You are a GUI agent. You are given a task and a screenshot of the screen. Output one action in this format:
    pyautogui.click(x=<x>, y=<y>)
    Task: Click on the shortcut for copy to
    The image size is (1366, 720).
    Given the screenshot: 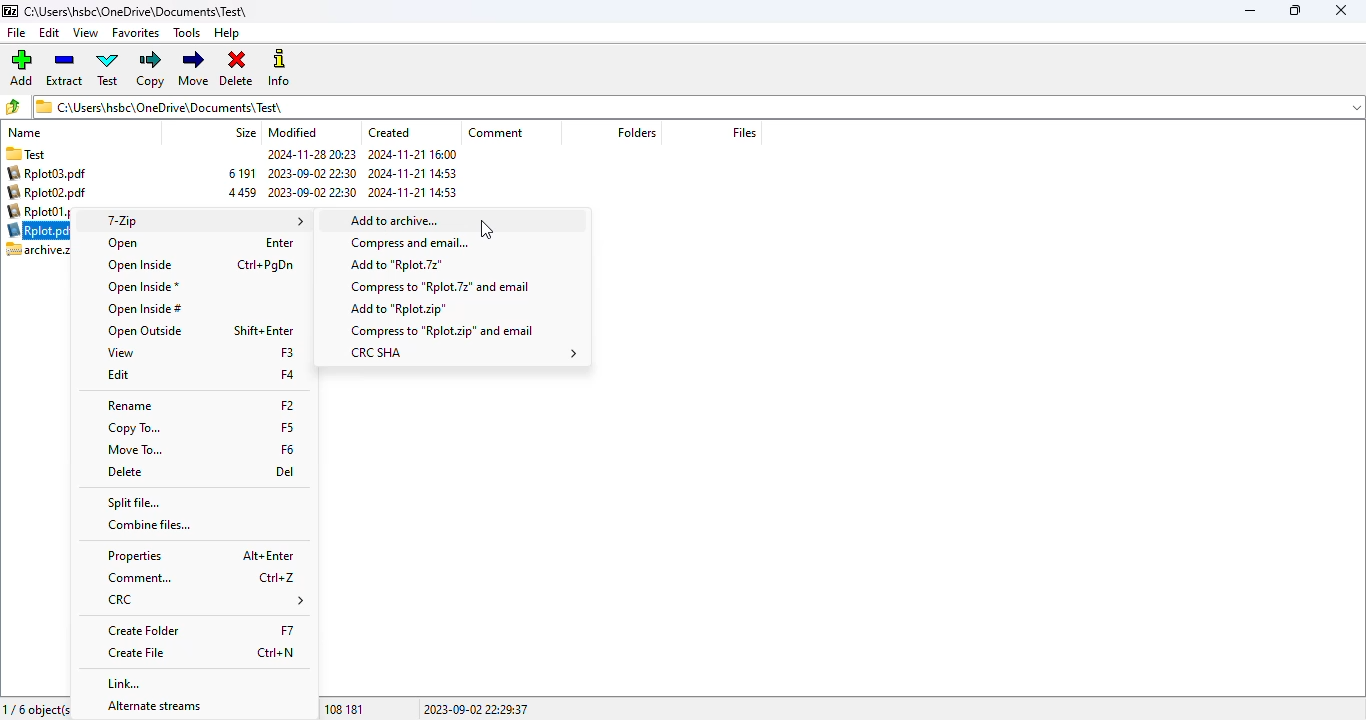 What is the action you would take?
    pyautogui.click(x=289, y=427)
    